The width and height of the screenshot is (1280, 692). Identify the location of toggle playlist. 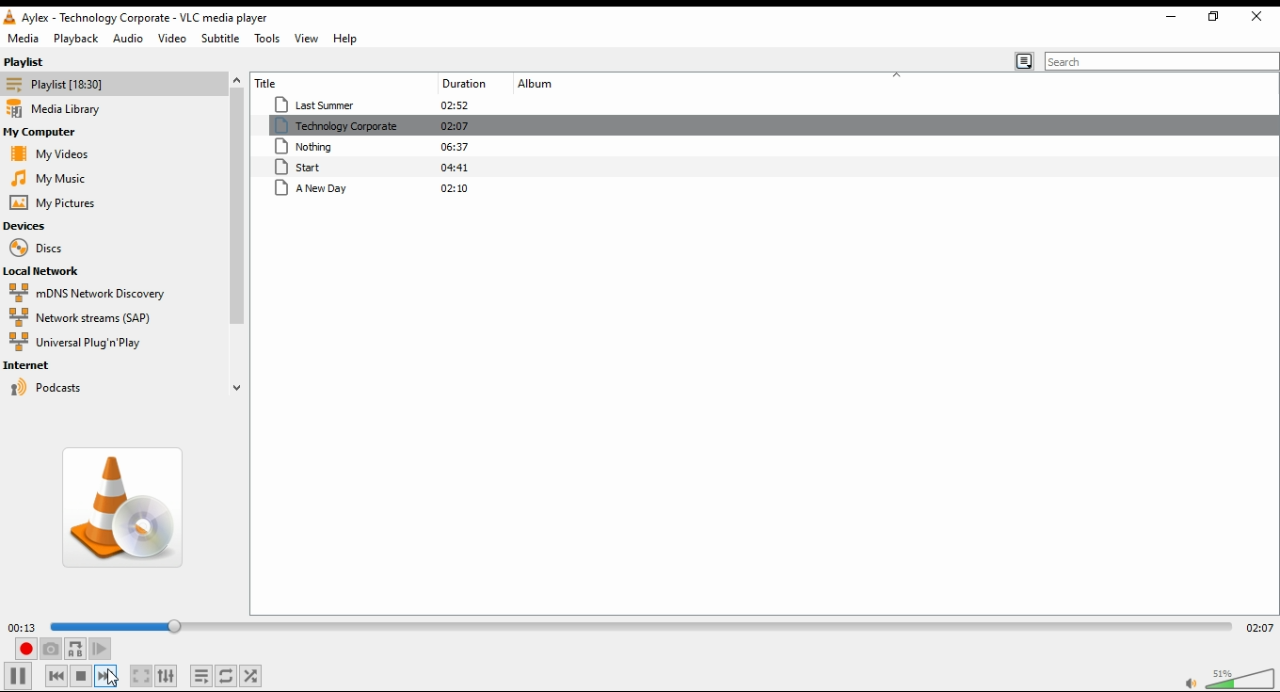
(201, 676).